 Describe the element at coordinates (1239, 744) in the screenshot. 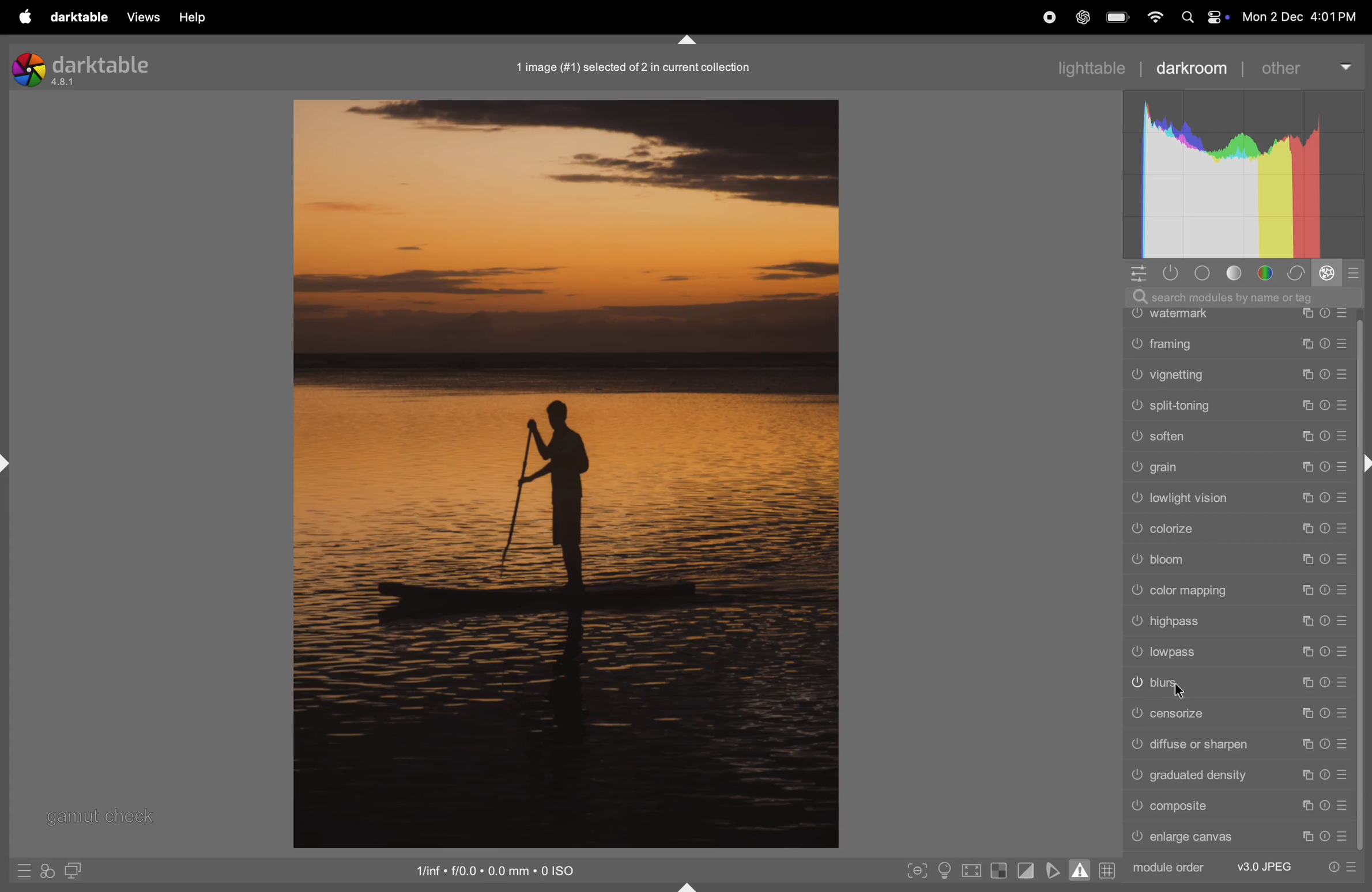

I see `diffuse or sharpen` at that location.